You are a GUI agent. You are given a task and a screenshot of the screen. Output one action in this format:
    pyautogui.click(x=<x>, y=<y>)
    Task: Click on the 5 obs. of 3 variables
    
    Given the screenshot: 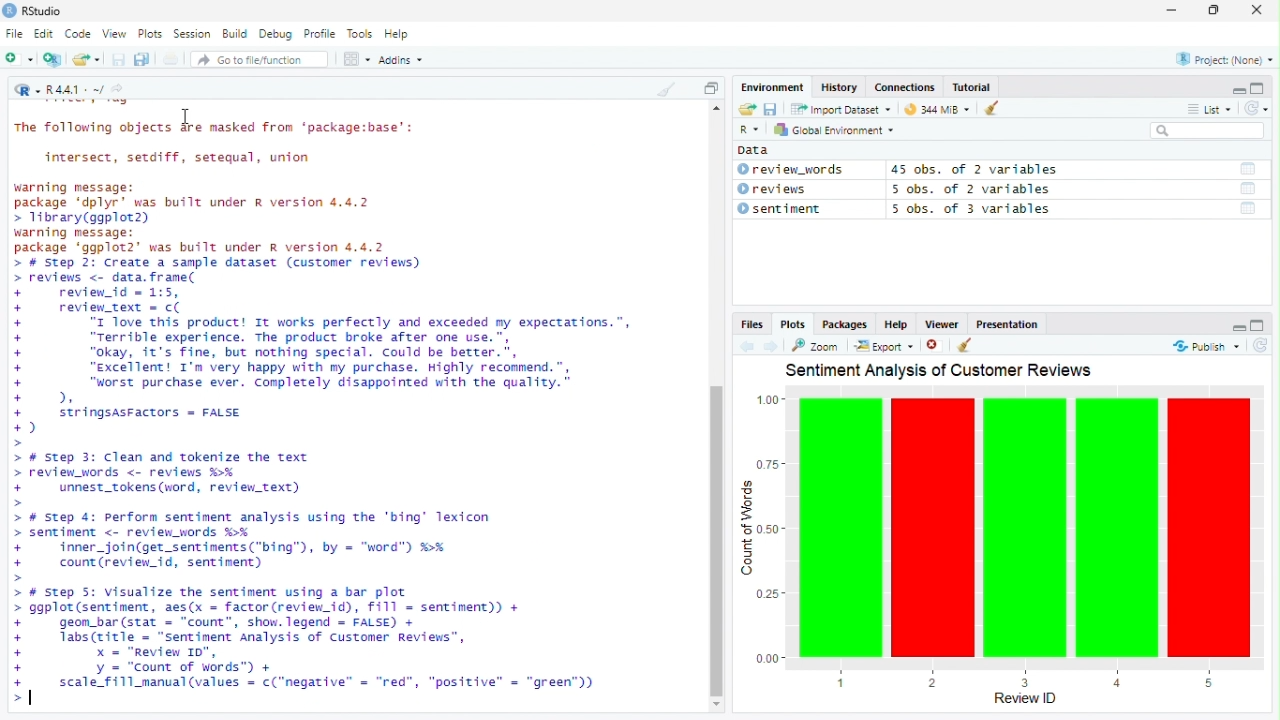 What is the action you would take?
    pyautogui.click(x=974, y=209)
    